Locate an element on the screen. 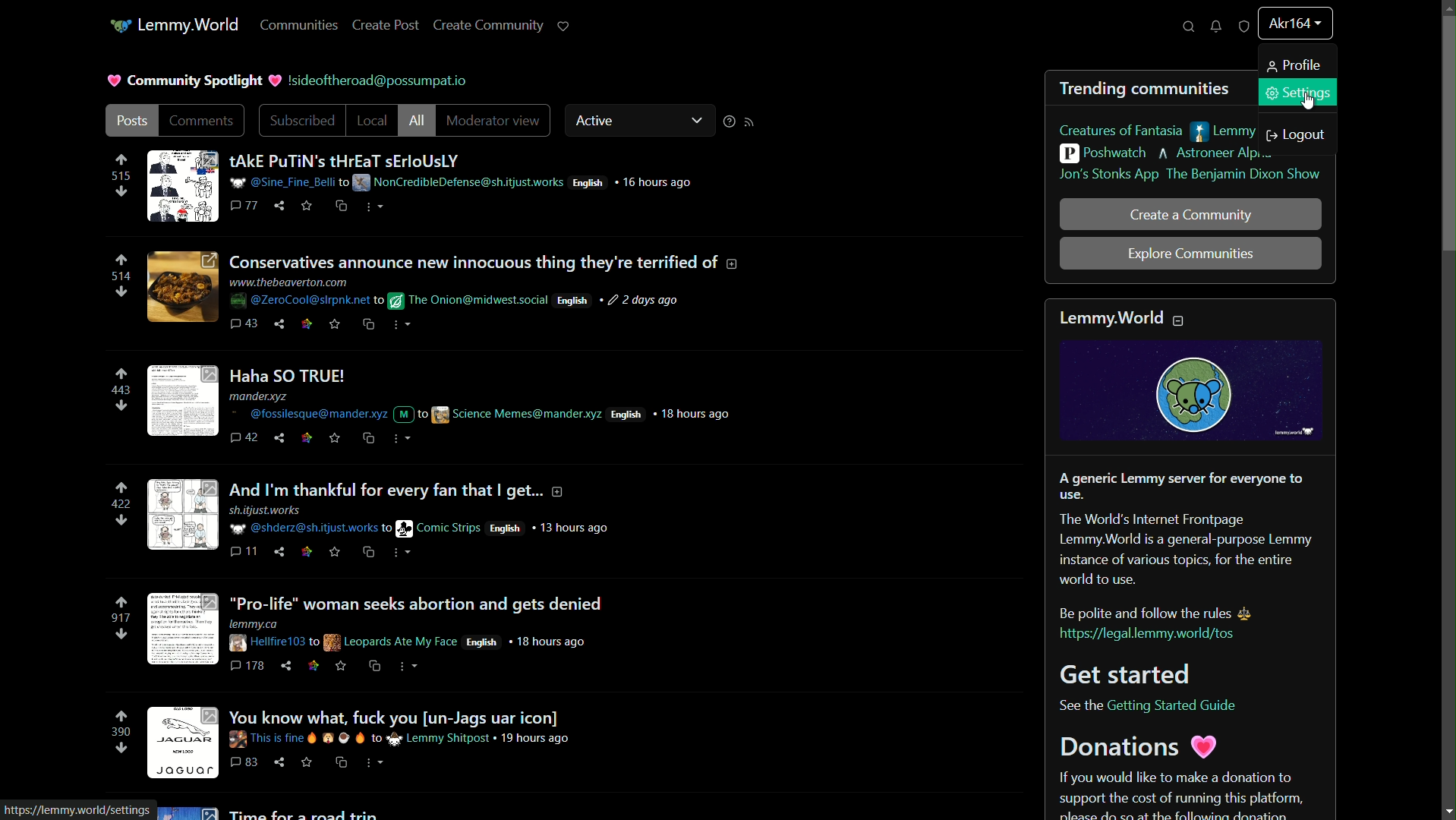  post-4 is located at coordinates (381, 517).